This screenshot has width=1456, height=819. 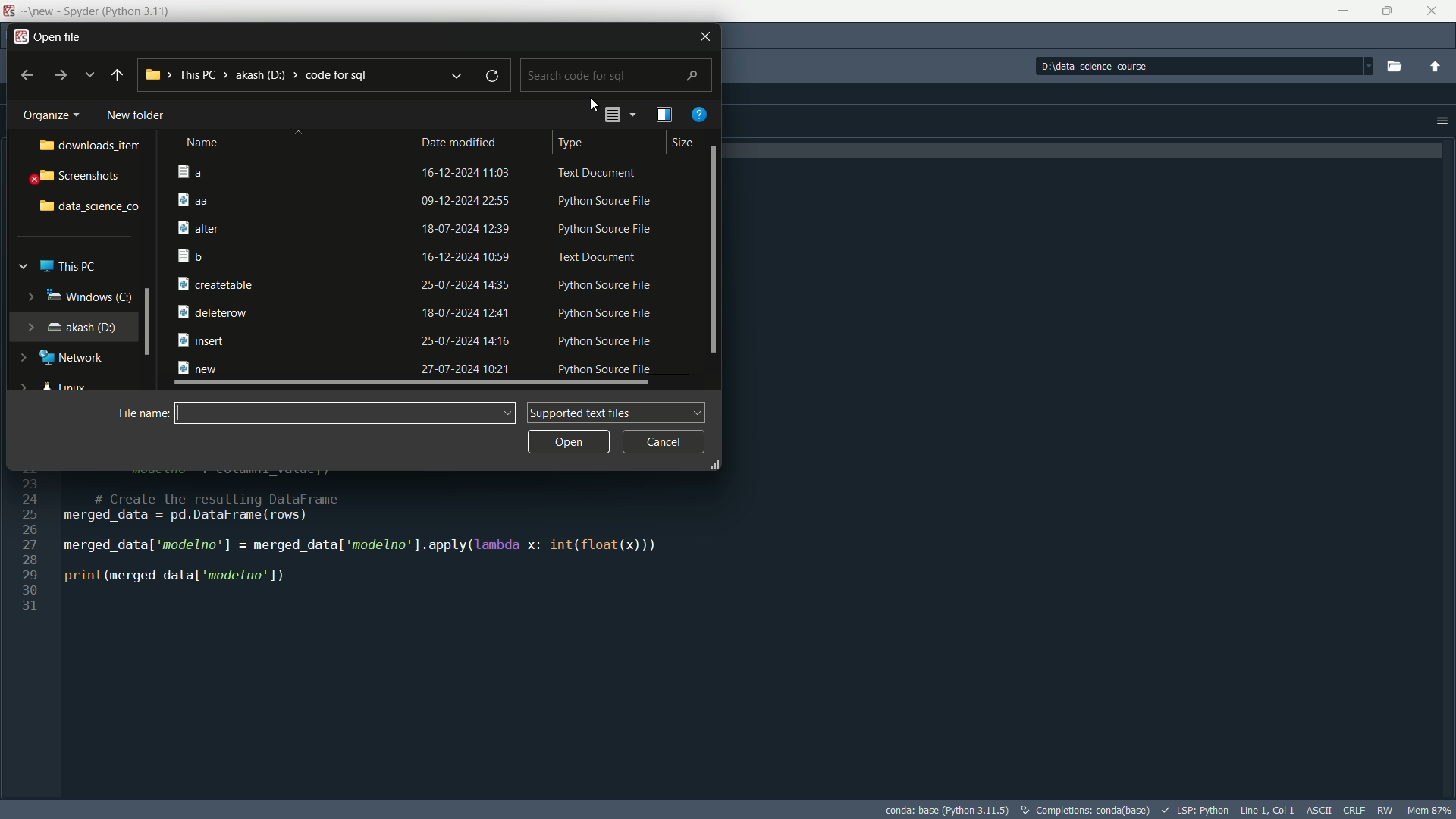 I want to click on minimize, so click(x=1344, y=11).